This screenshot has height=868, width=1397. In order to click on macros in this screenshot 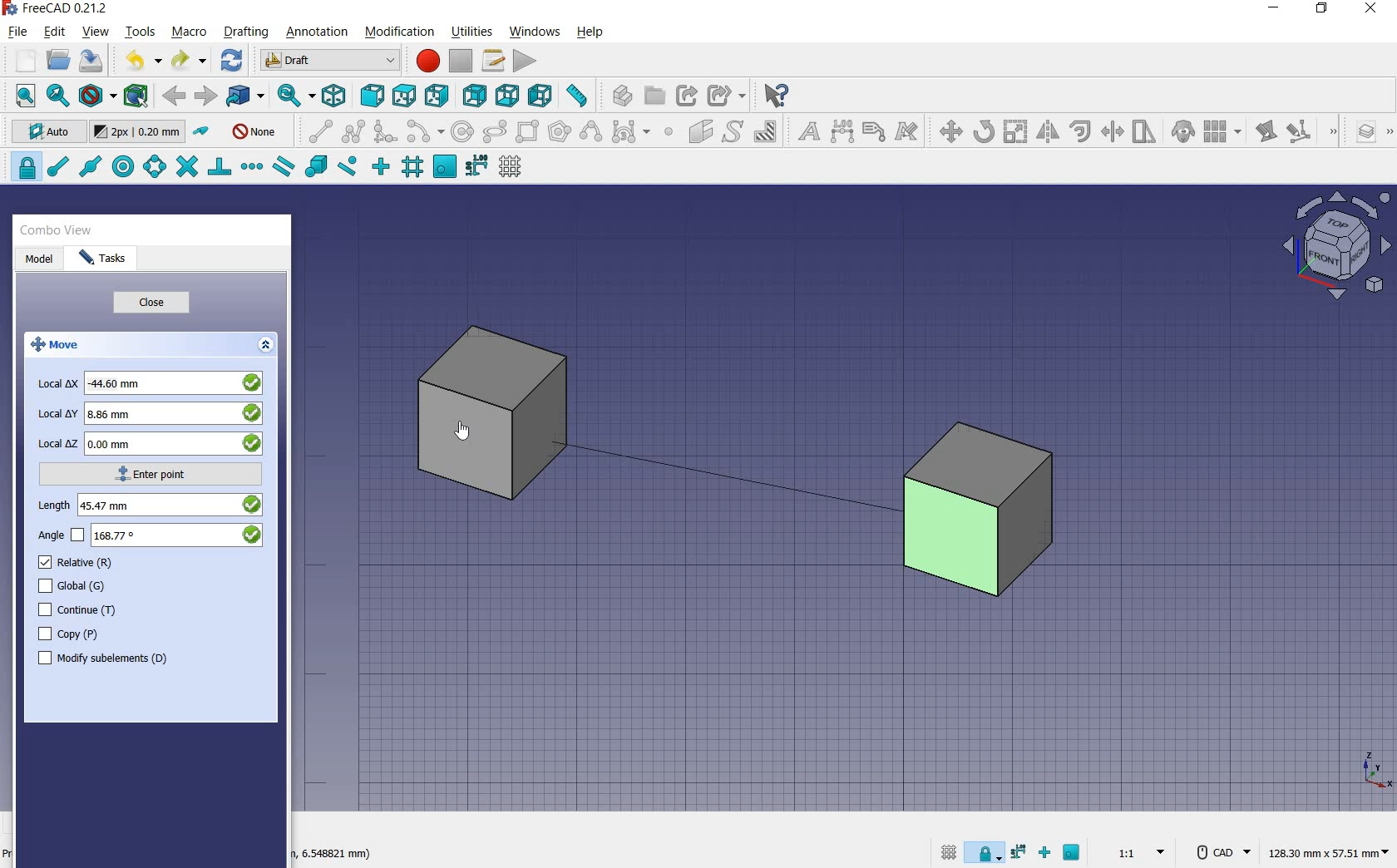, I will do `click(493, 61)`.